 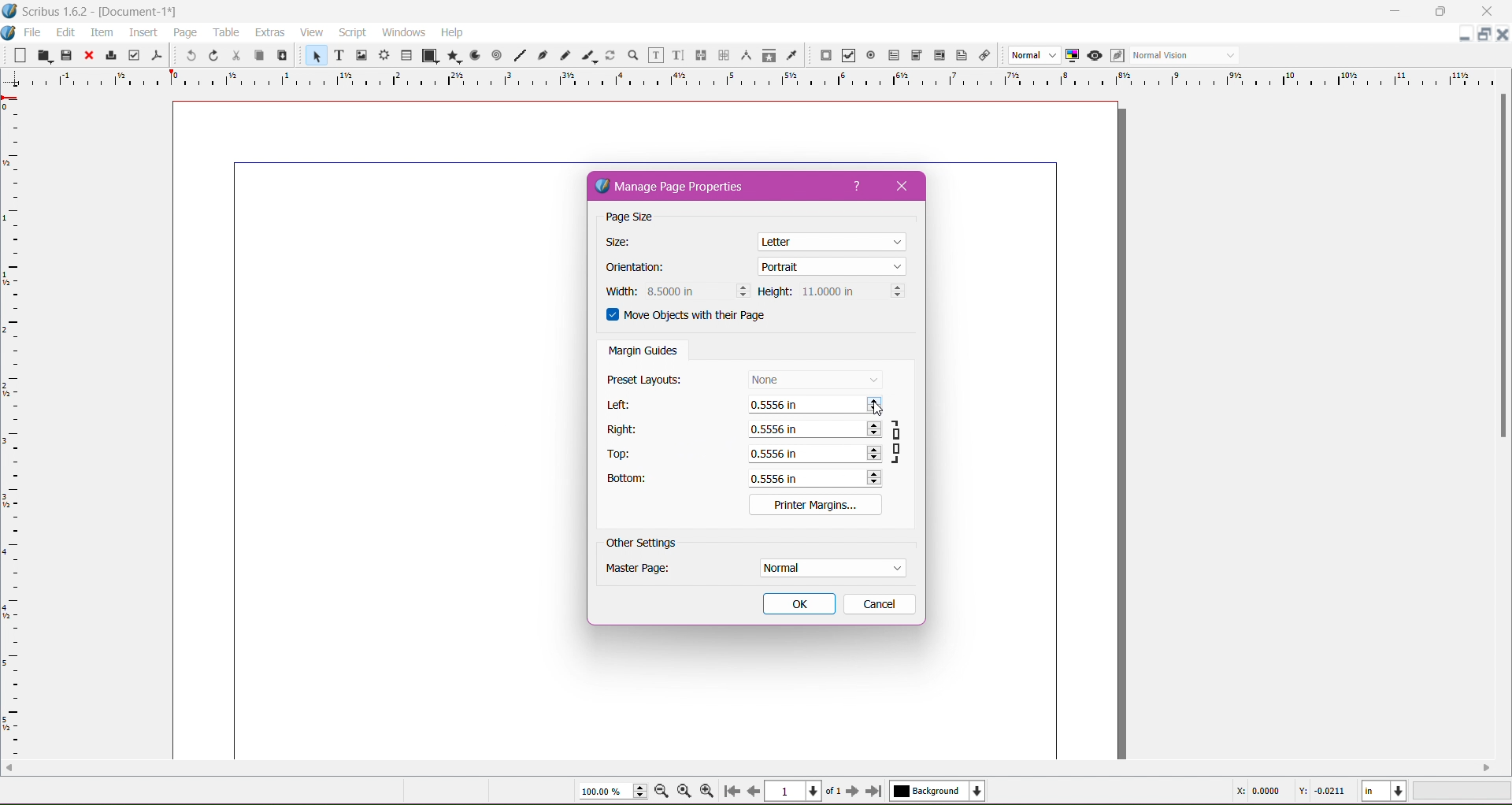 I want to click on Right, so click(x=624, y=429).